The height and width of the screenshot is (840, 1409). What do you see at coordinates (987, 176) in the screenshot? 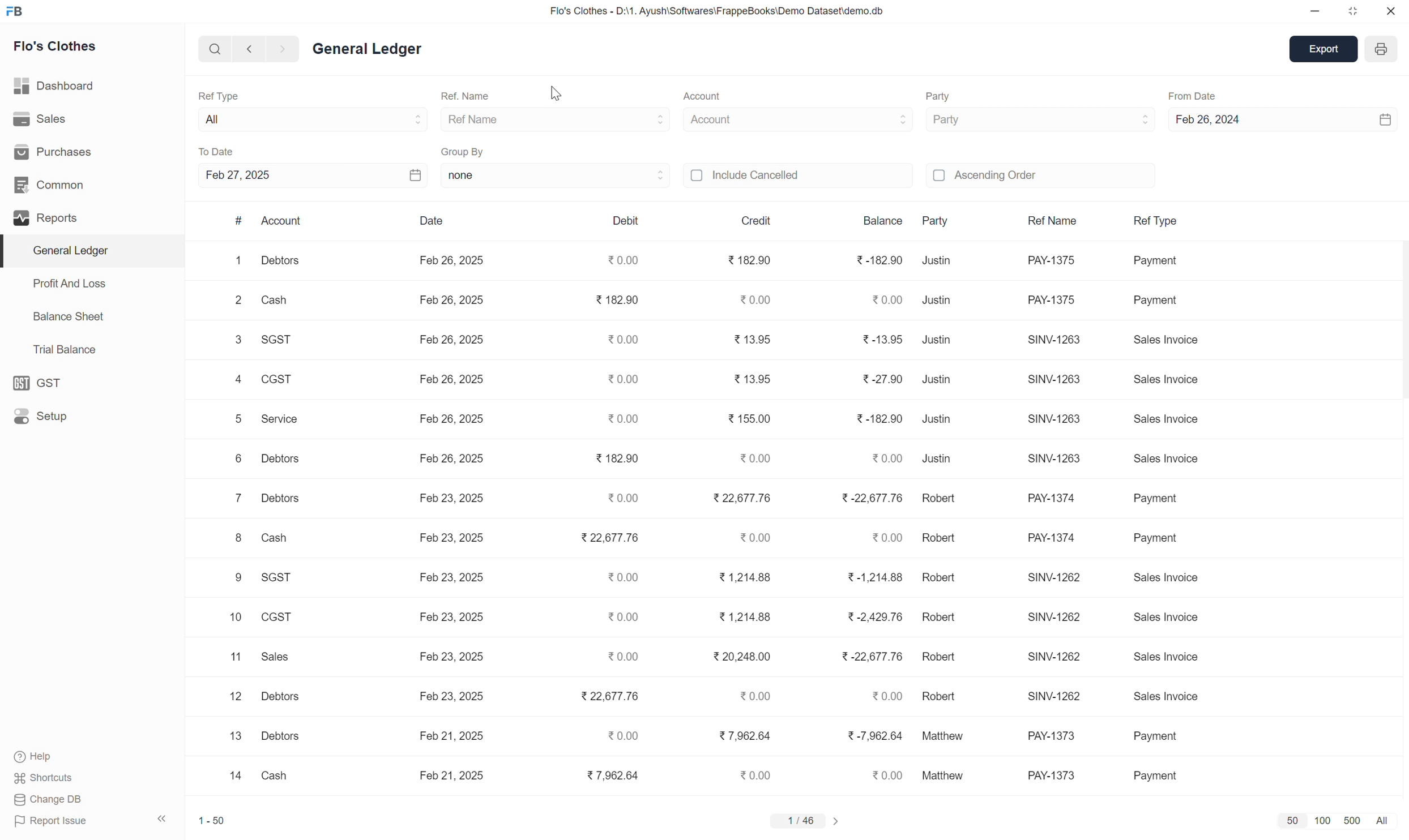
I see `ascending order` at bounding box center [987, 176].